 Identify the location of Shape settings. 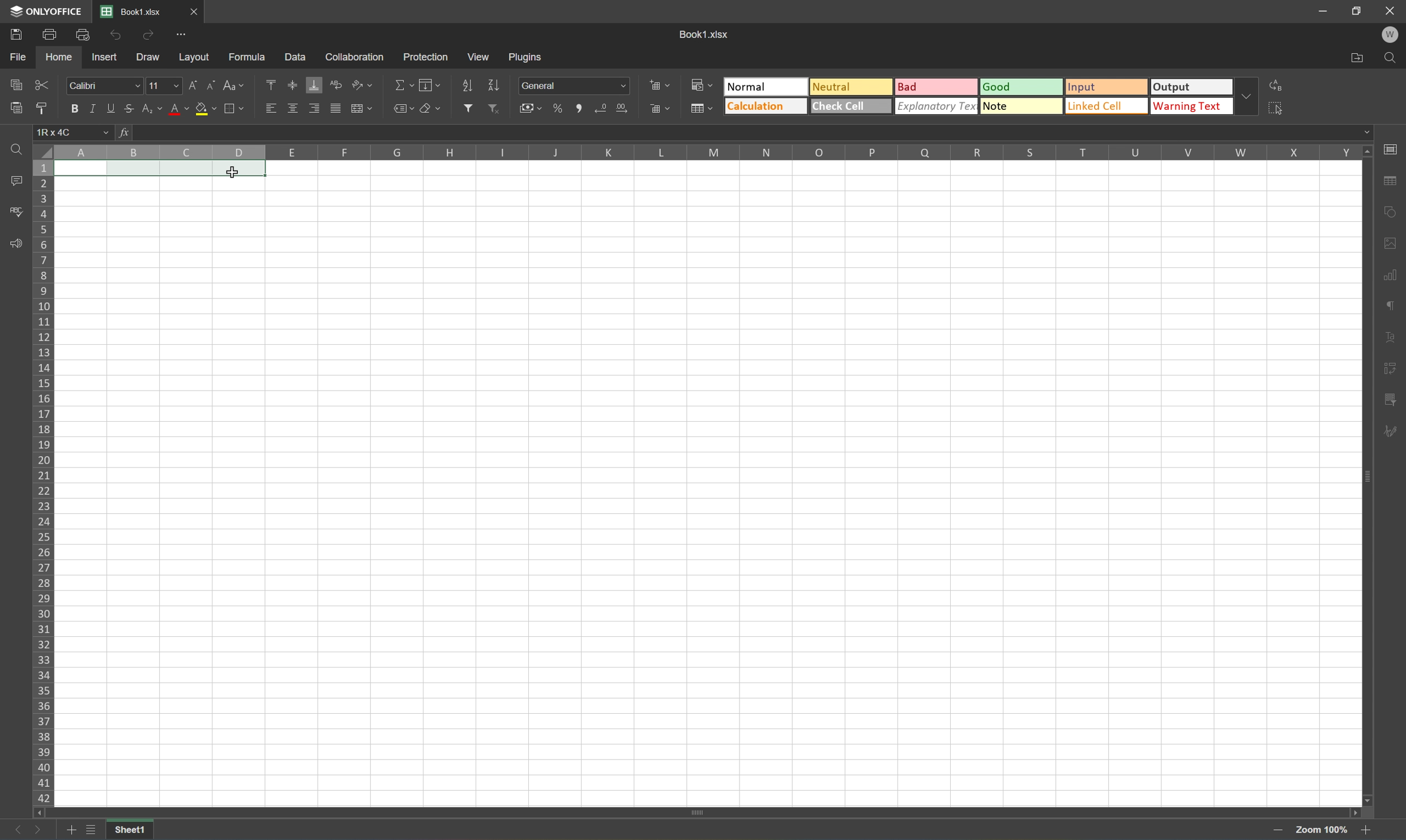
(1390, 214).